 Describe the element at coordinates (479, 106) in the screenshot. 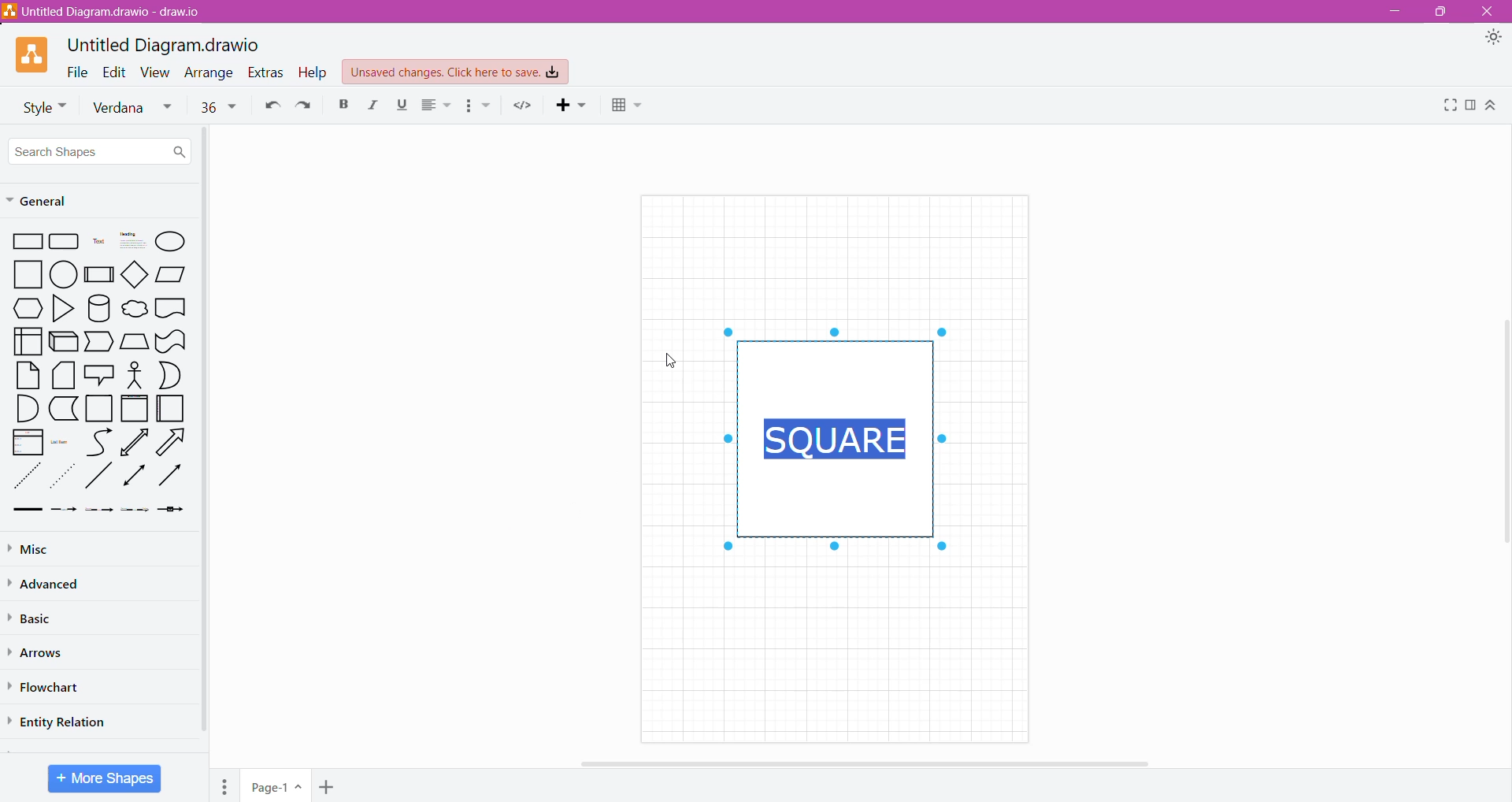

I see `Bullets` at that location.